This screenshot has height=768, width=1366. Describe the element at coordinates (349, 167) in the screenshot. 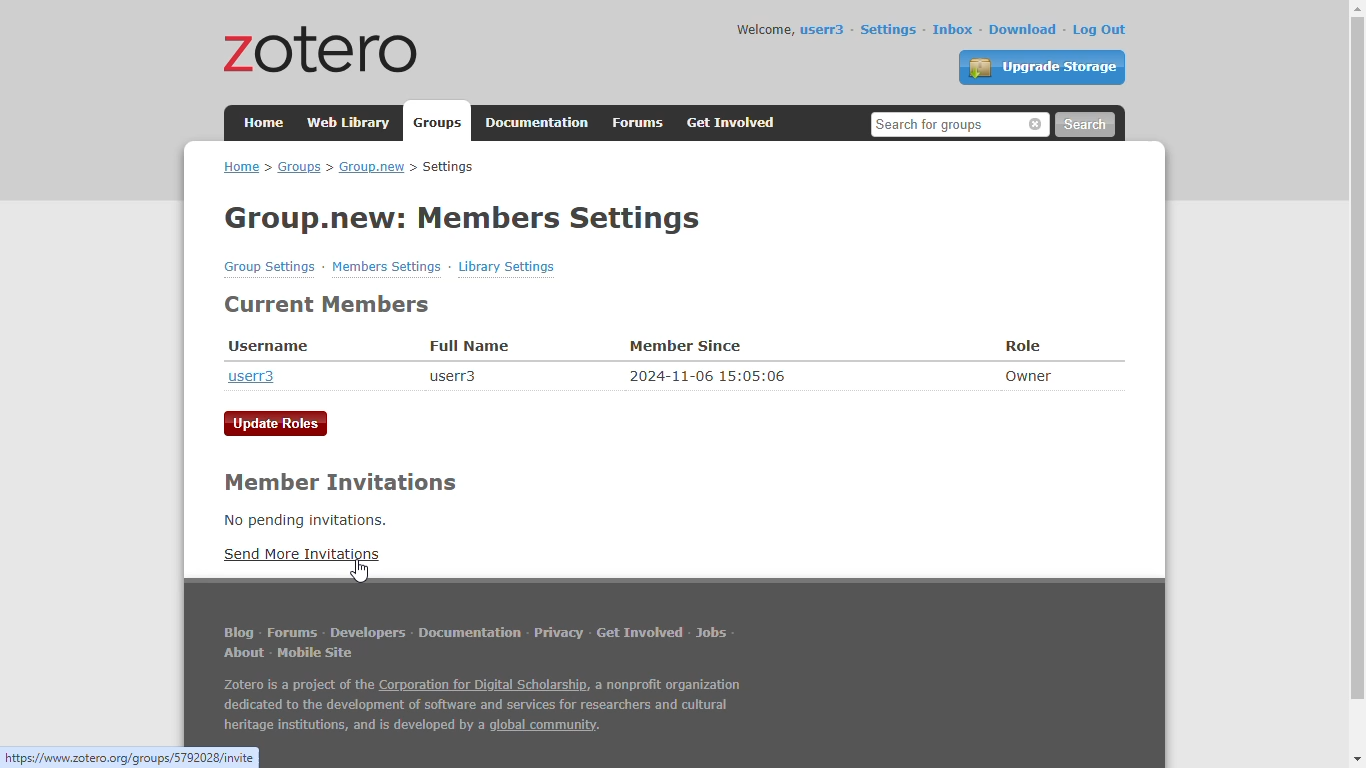

I see `home > groups > group.new > settings` at that location.